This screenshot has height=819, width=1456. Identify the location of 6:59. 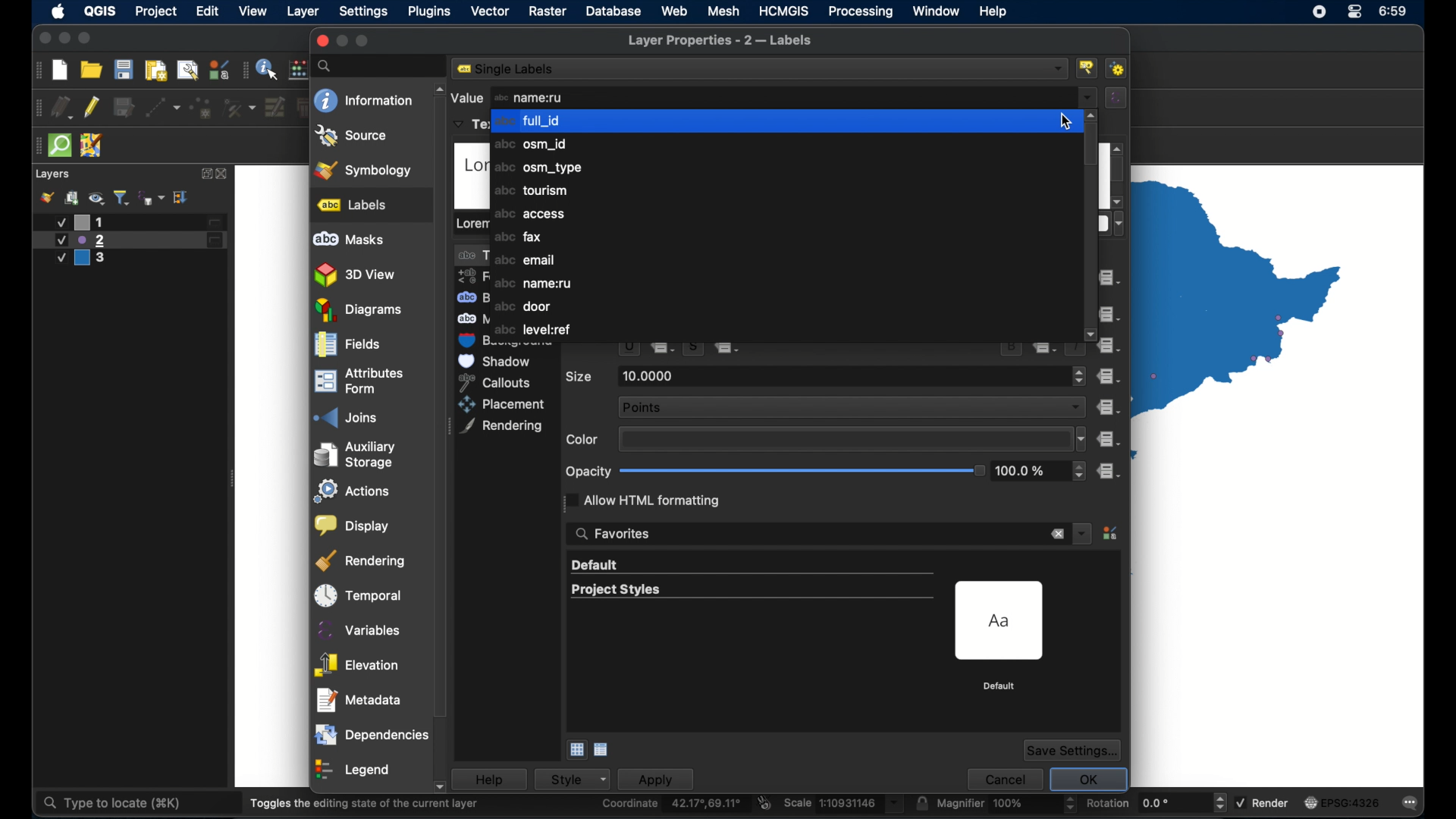
(1396, 14).